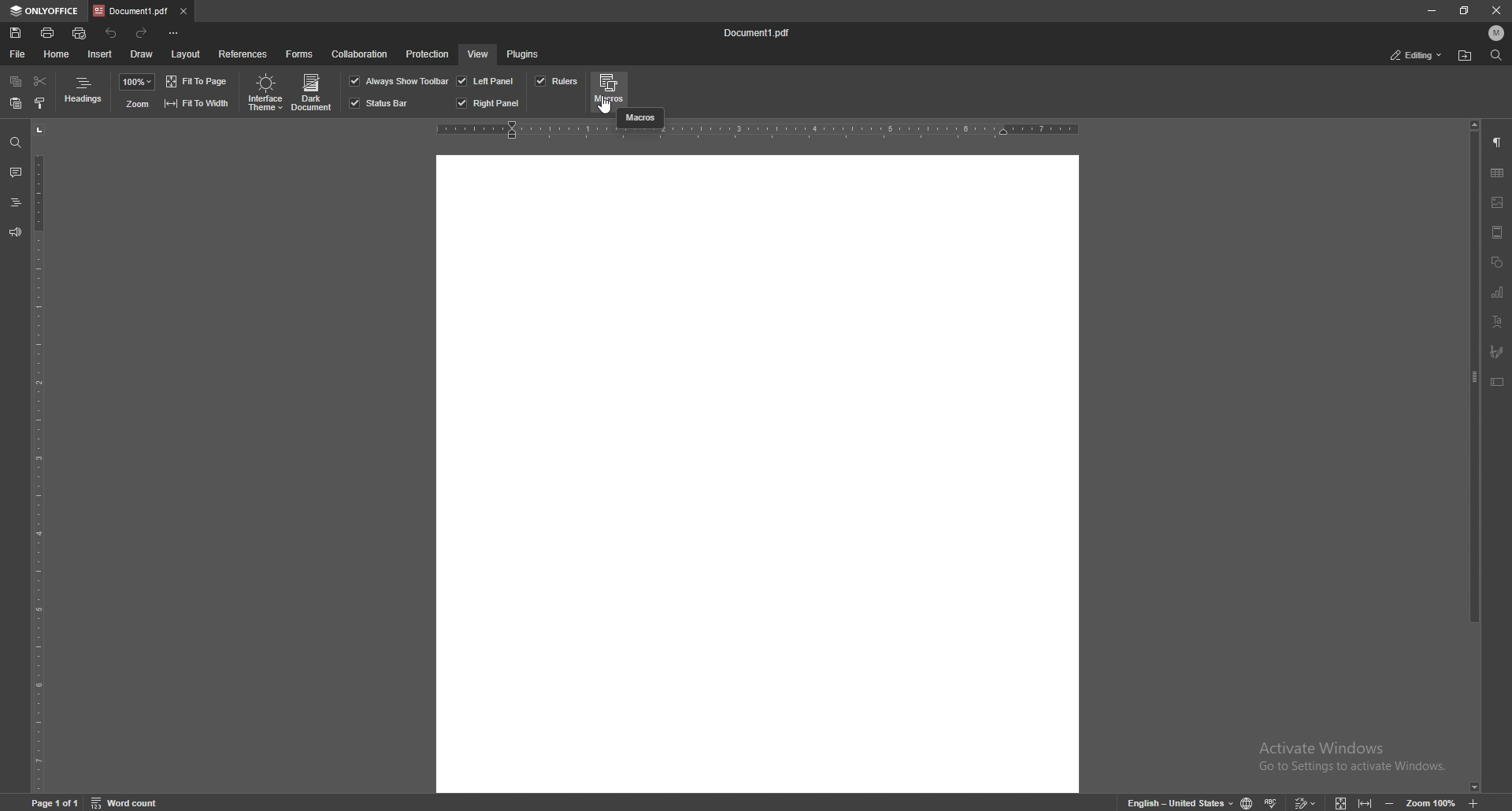 The image size is (1512, 811). I want to click on change text language, so click(1173, 801).